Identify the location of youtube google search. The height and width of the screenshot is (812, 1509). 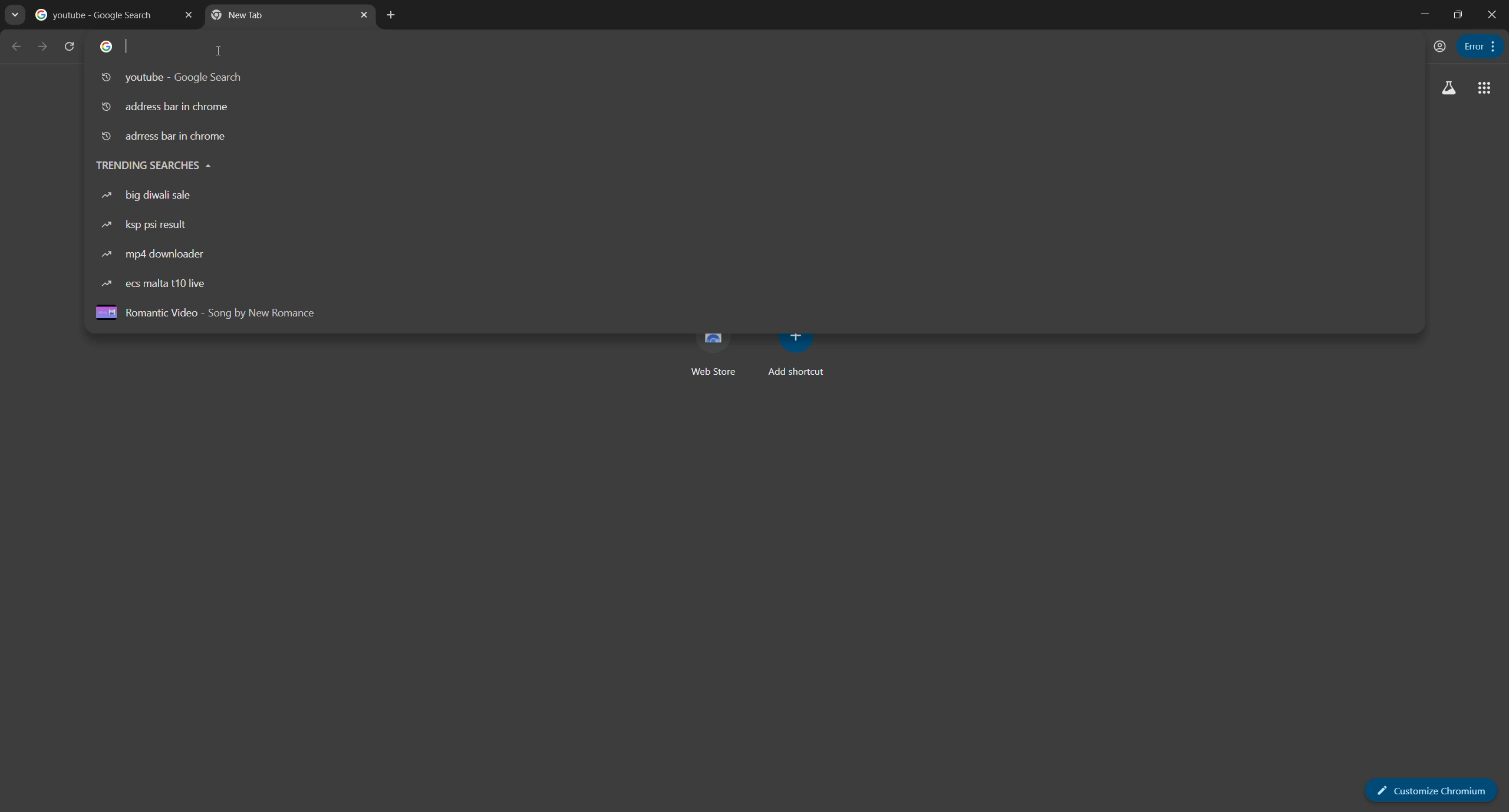
(97, 17).